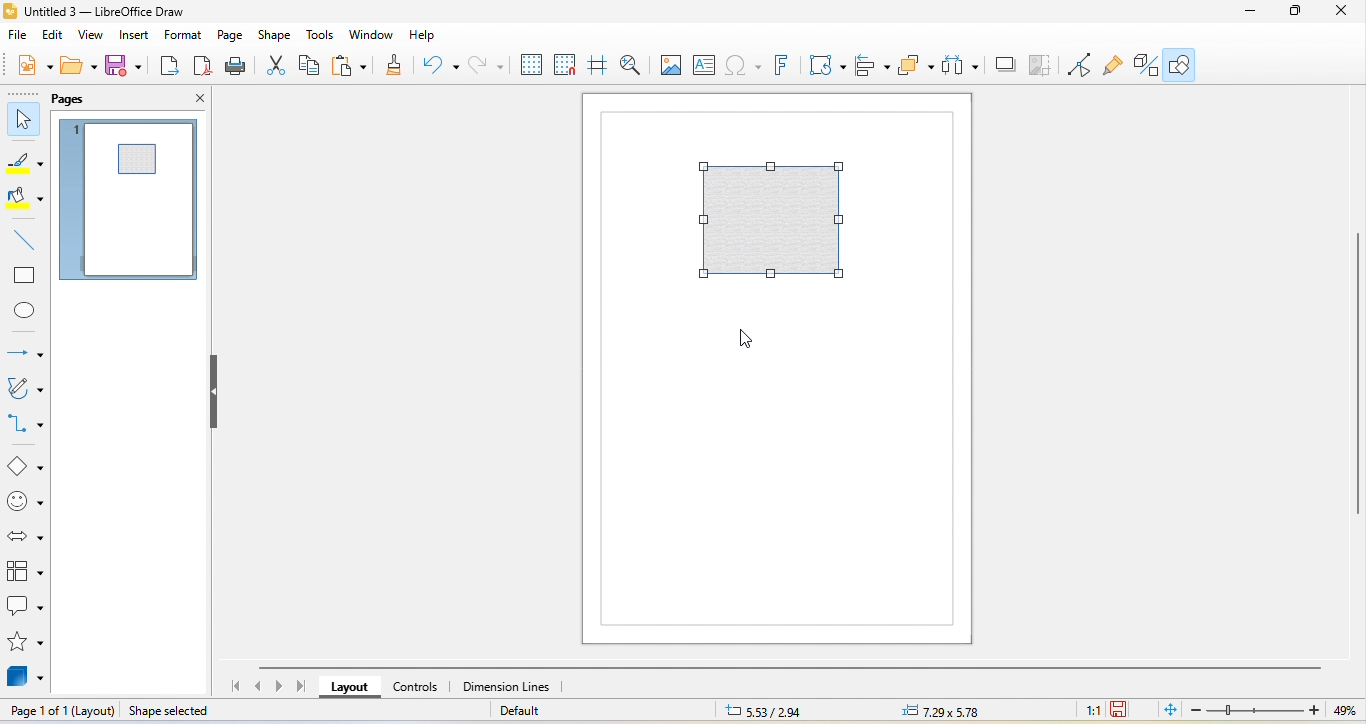 The image size is (1366, 724). Describe the element at coordinates (321, 34) in the screenshot. I see `tools` at that location.